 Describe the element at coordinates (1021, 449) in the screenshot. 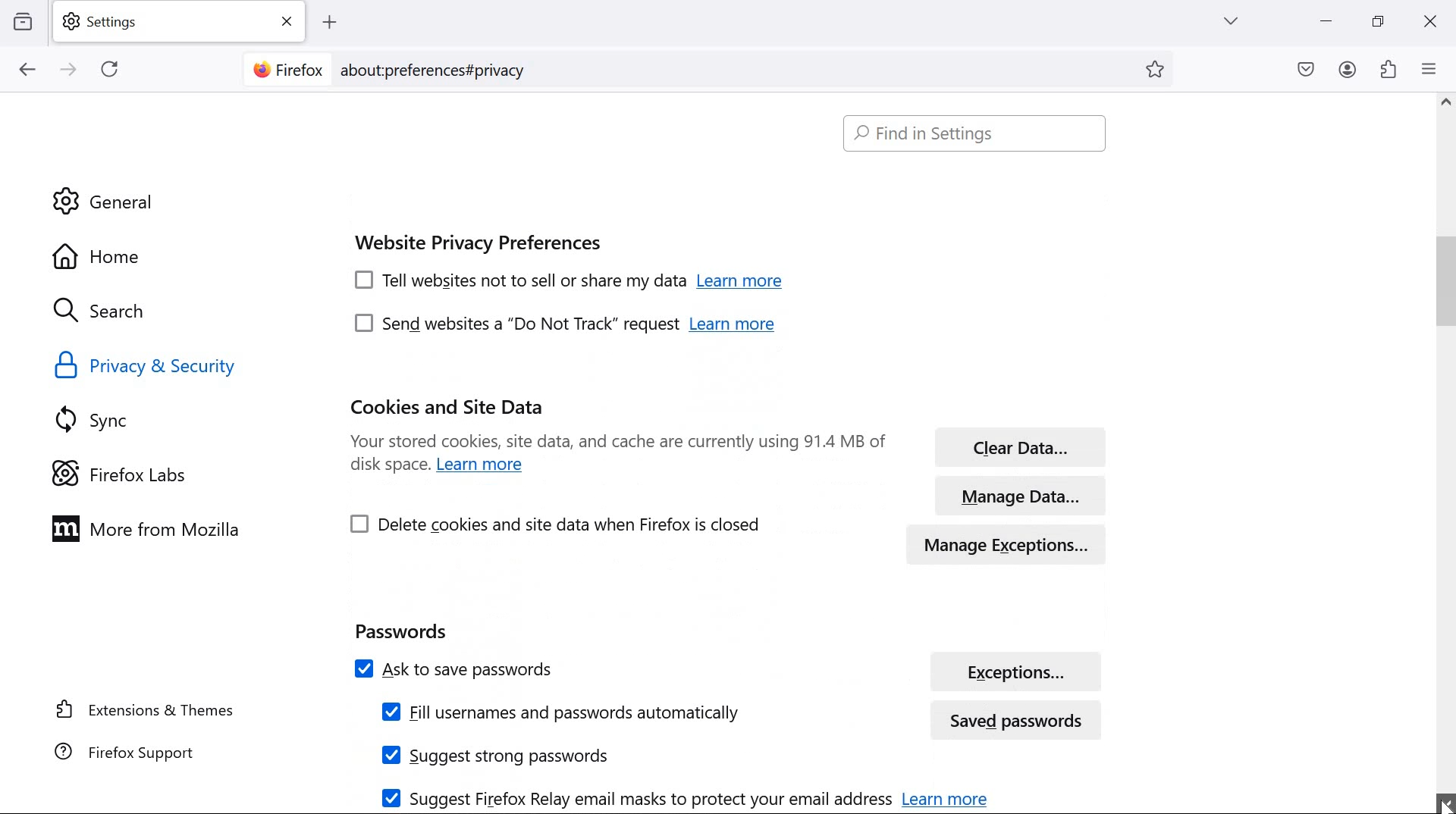

I see `clear data` at that location.